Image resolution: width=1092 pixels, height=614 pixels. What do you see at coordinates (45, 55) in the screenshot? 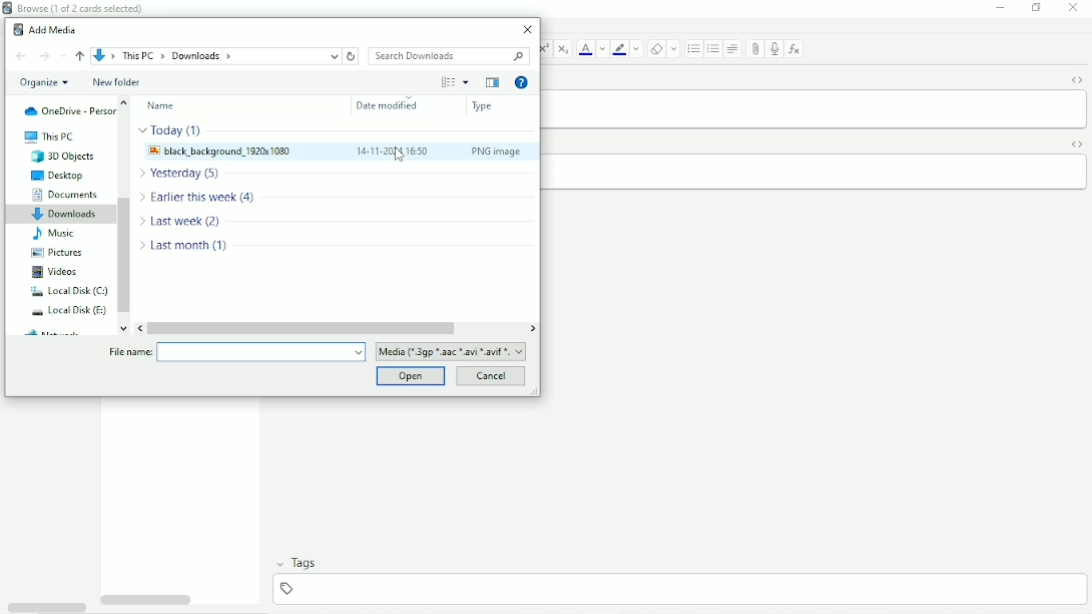
I see `Forward` at bounding box center [45, 55].